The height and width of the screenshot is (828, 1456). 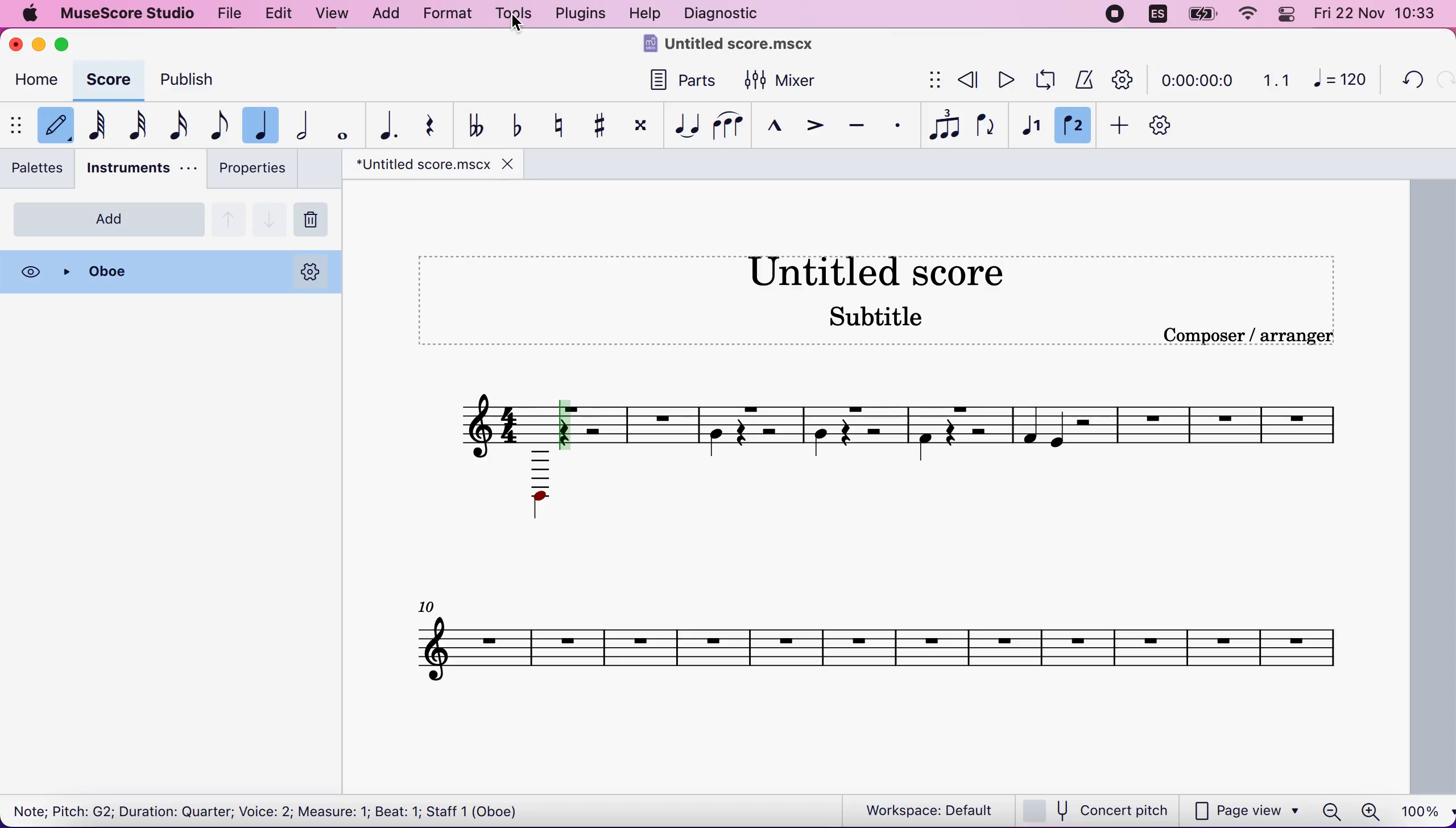 What do you see at coordinates (1331, 808) in the screenshot?
I see `zoom out` at bounding box center [1331, 808].